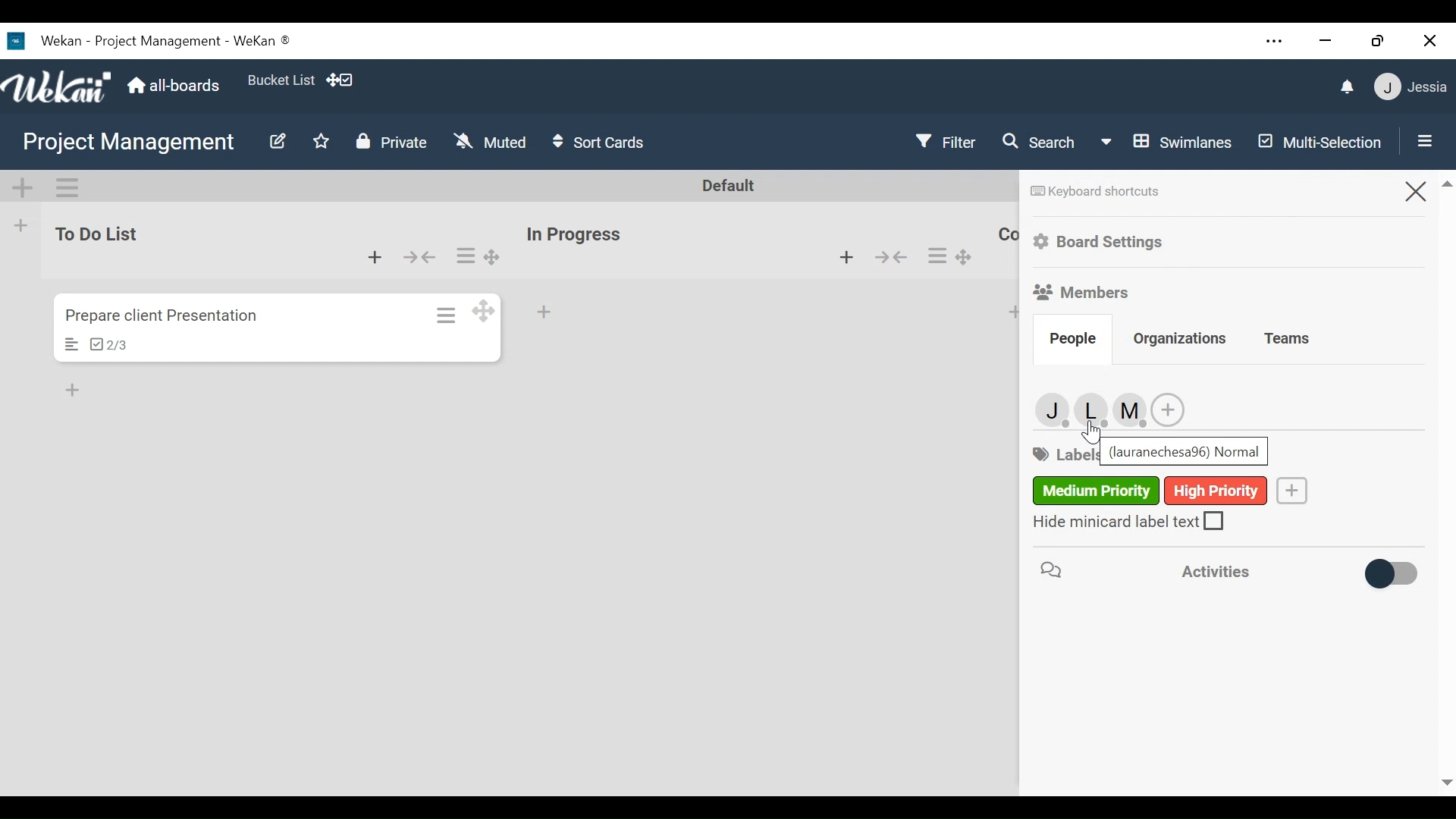 This screenshot has height=819, width=1456. I want to click on Members, so click(1087, 409).